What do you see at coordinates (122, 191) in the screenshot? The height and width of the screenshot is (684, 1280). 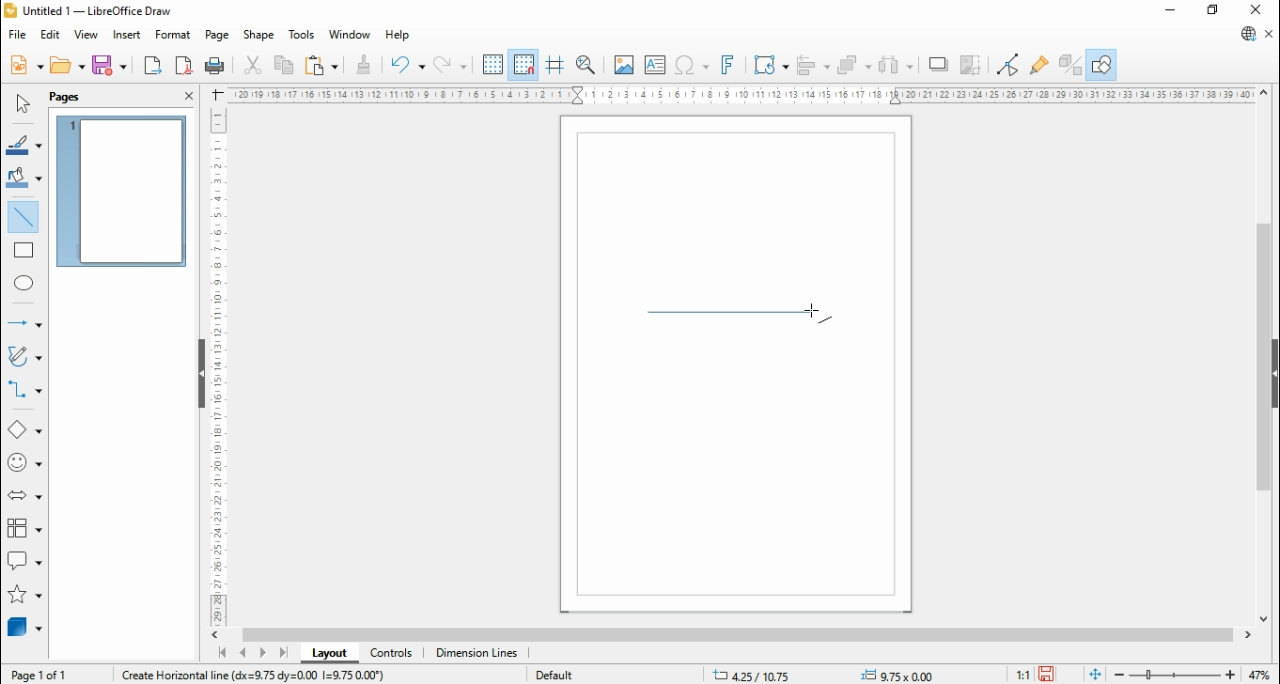 I see `page 1` at bounding box center [122, 191].